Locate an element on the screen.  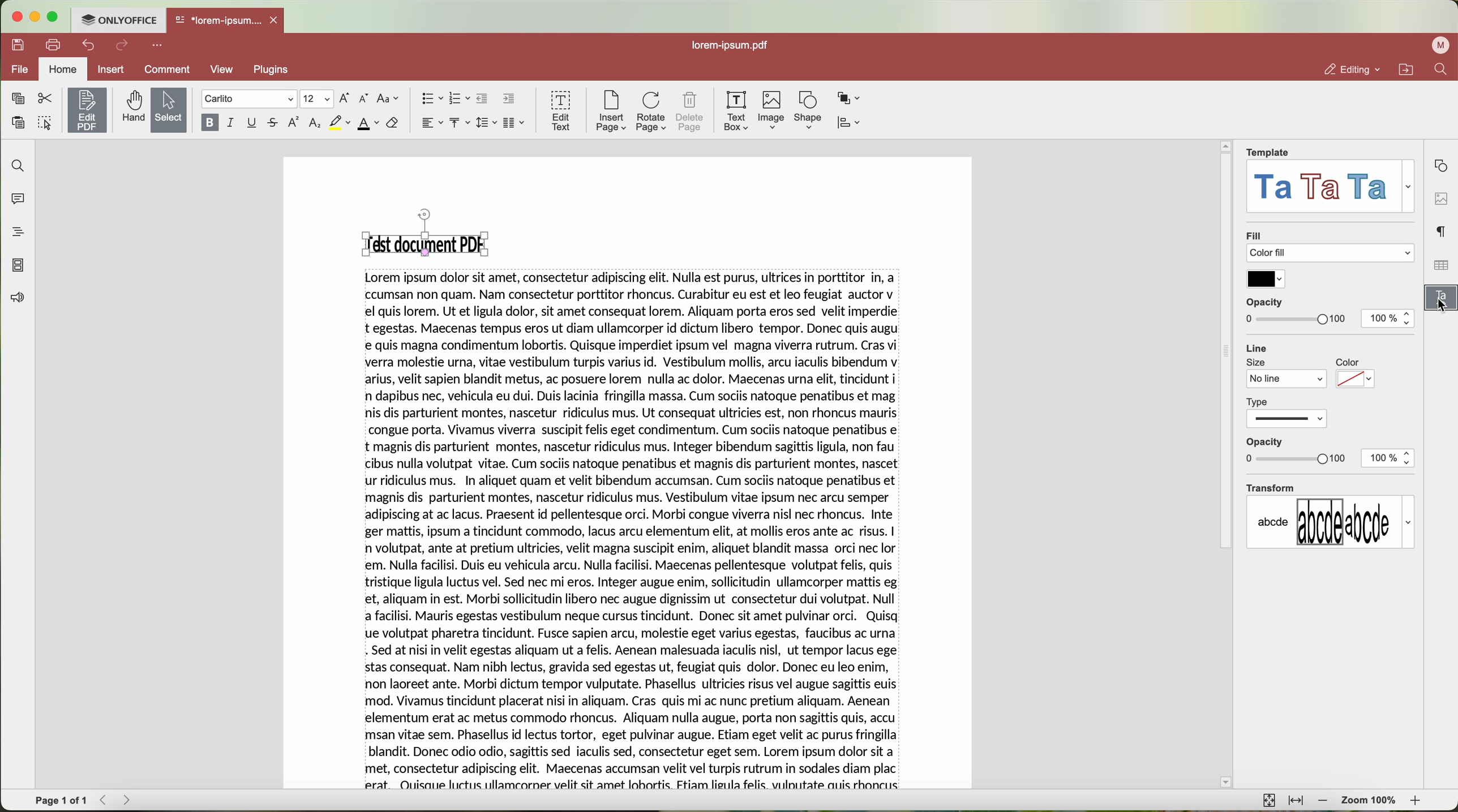
comments is located at coordinates (20, 200).